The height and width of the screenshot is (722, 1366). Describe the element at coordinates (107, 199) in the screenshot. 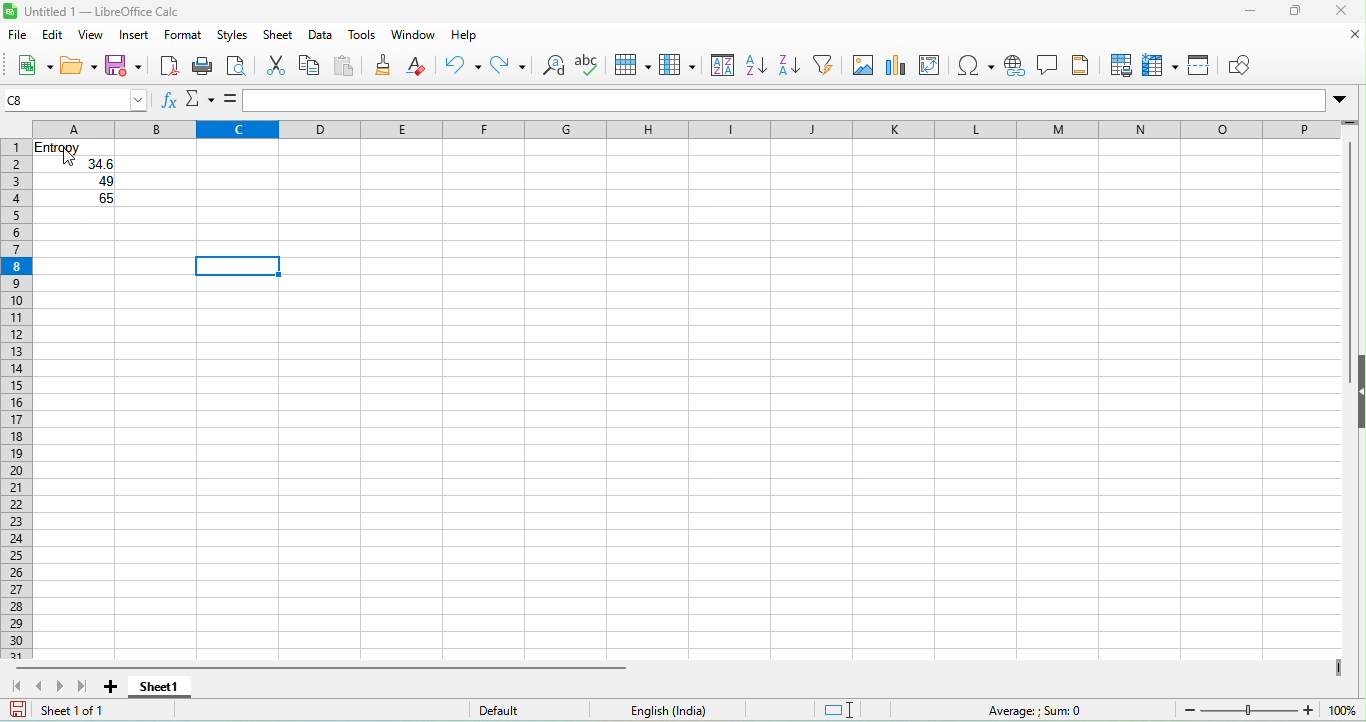

I see `65` at that location.